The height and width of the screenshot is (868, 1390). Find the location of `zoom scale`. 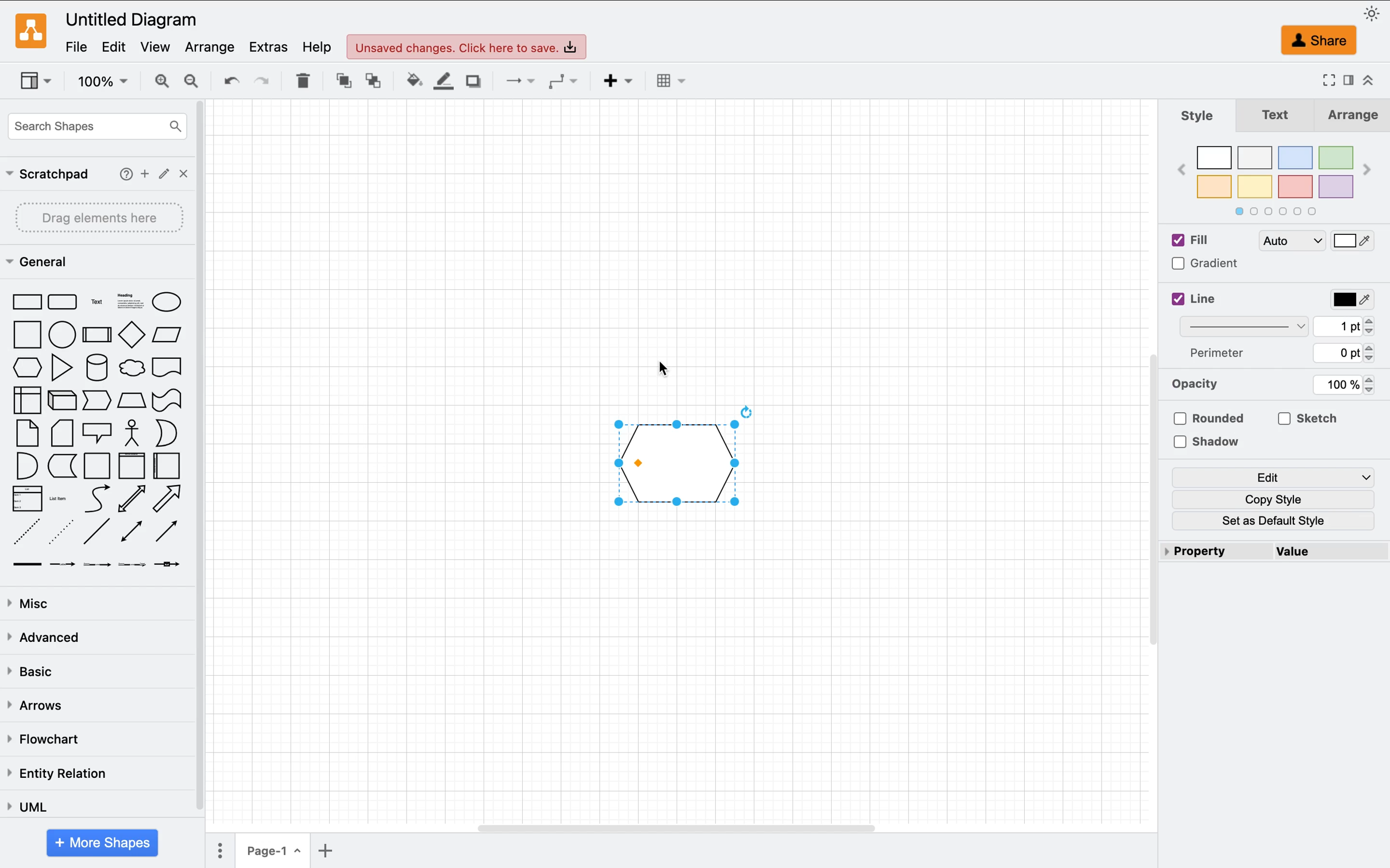

zoom scale is located at coordinates (102, 80).